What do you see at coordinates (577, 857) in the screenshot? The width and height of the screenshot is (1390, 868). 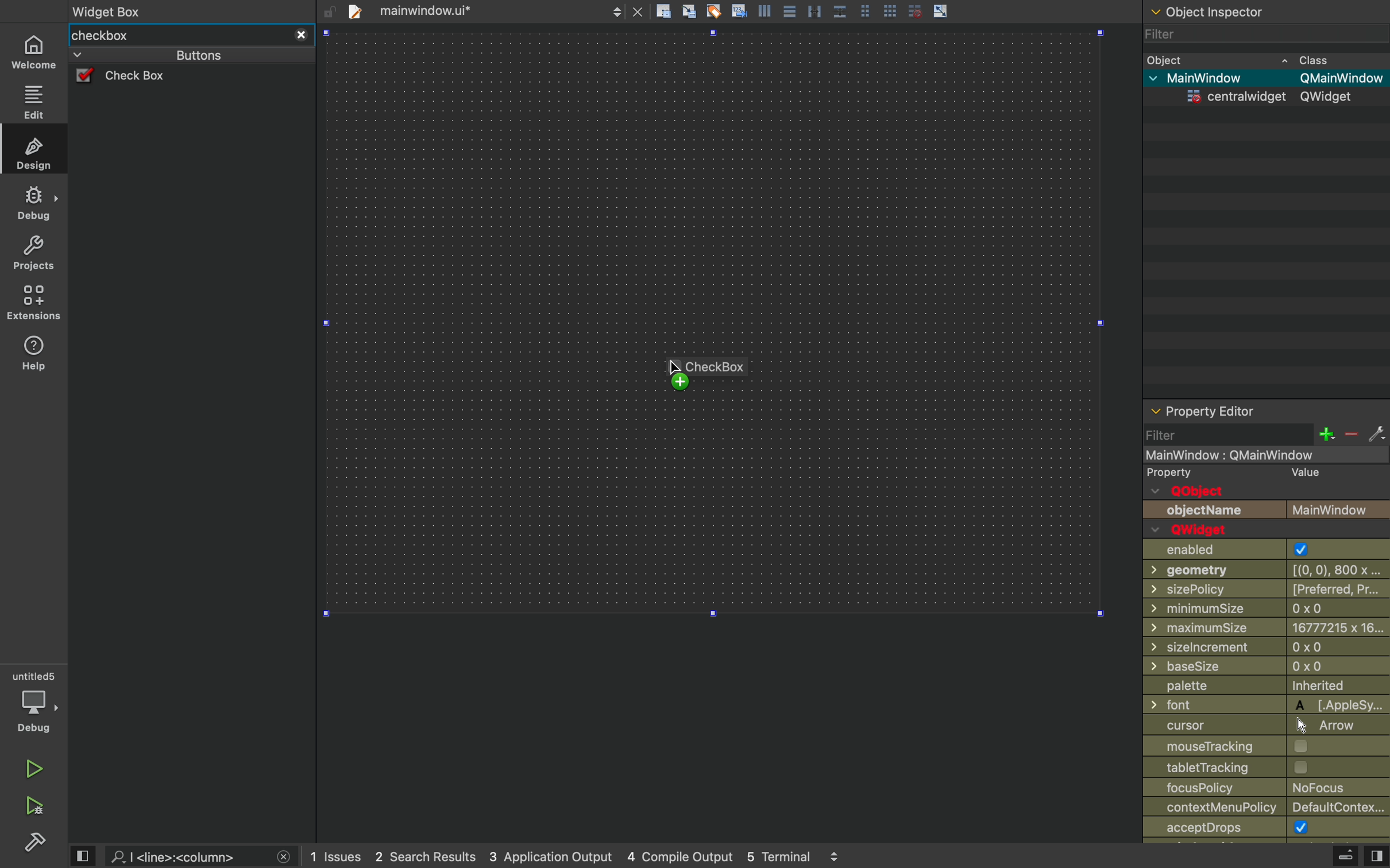 I see `logs` at bounding box center [577, 857].